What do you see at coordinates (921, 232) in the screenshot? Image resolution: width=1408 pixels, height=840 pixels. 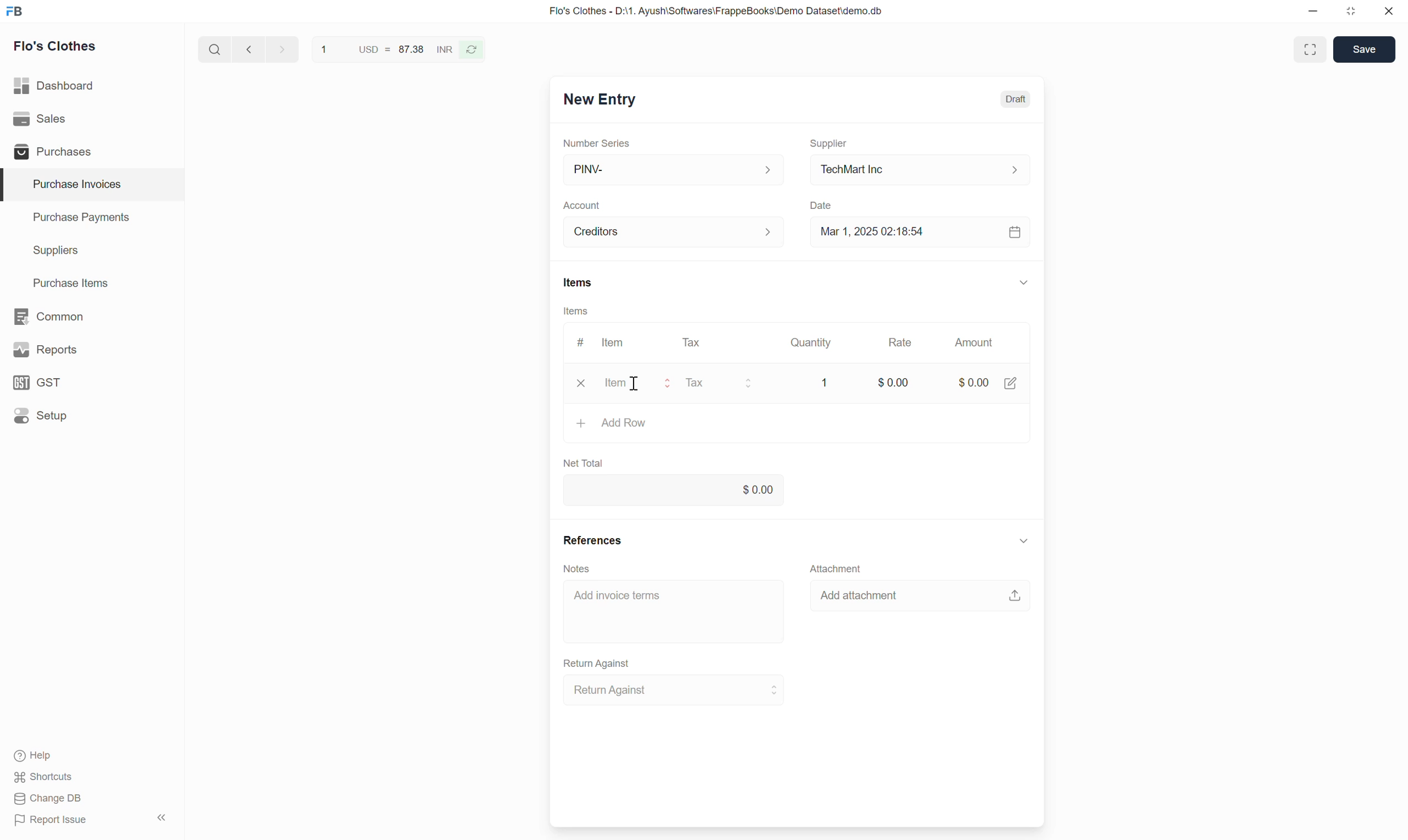 I see `Mar 1, 2025 02:18:54` at bounding box center [921, 232].